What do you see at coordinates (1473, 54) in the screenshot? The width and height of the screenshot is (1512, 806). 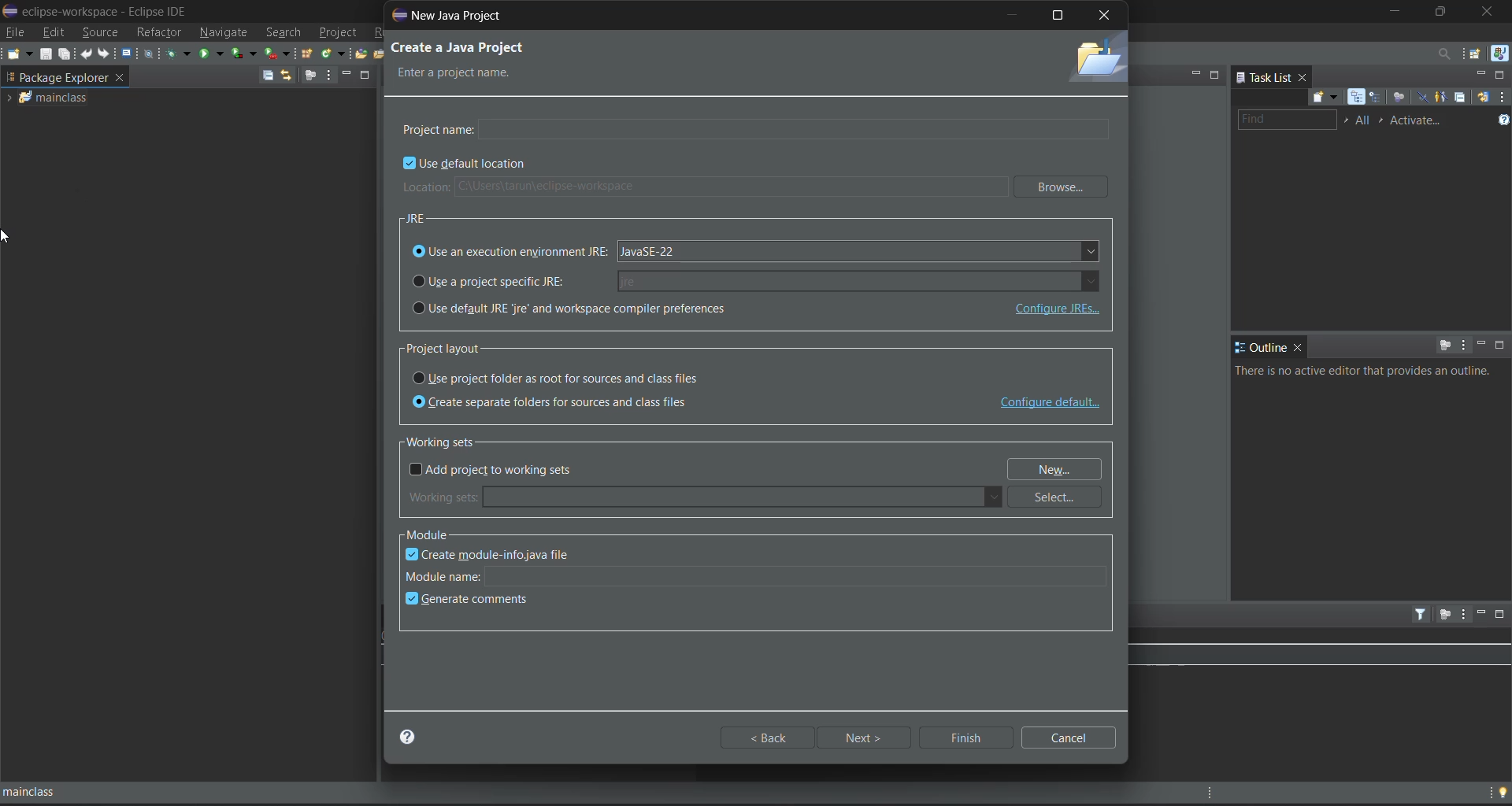 I see `open perspective` at bounding box center [1473, 54].